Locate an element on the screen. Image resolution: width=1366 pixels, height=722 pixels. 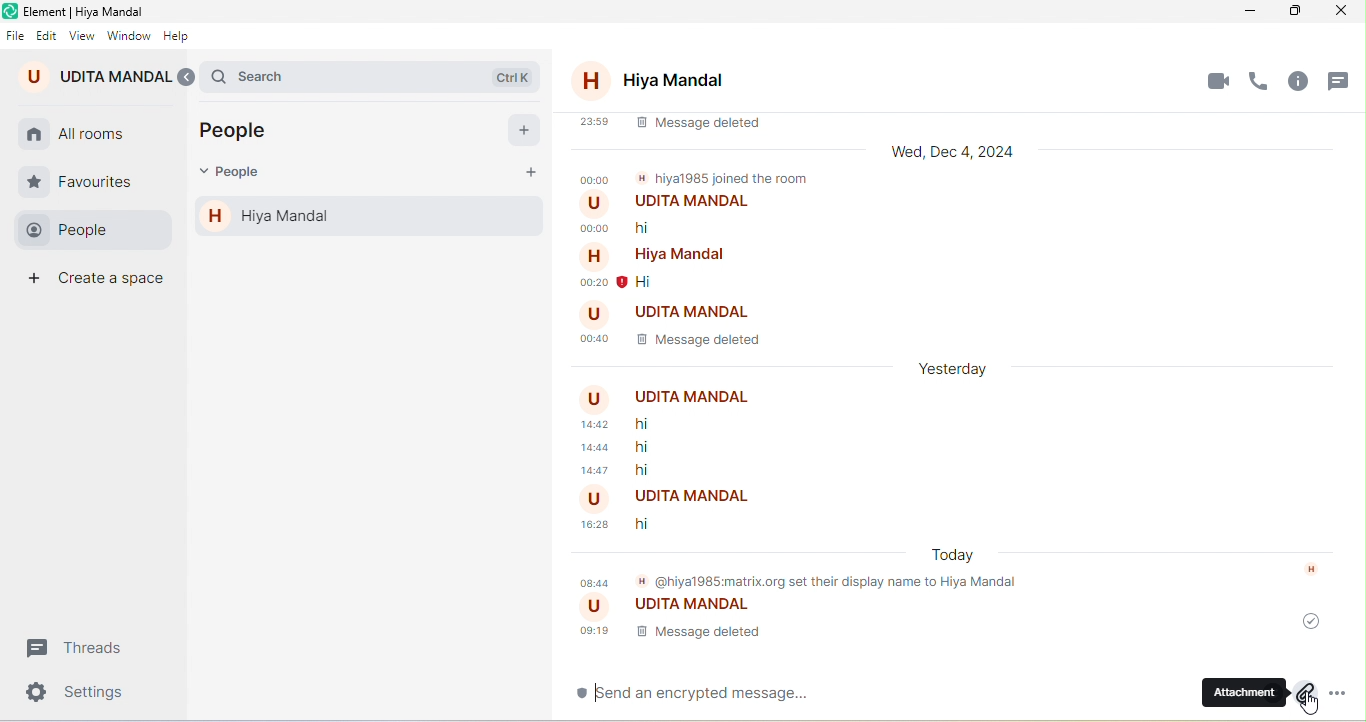
hi is located at coordinates (654, 447).